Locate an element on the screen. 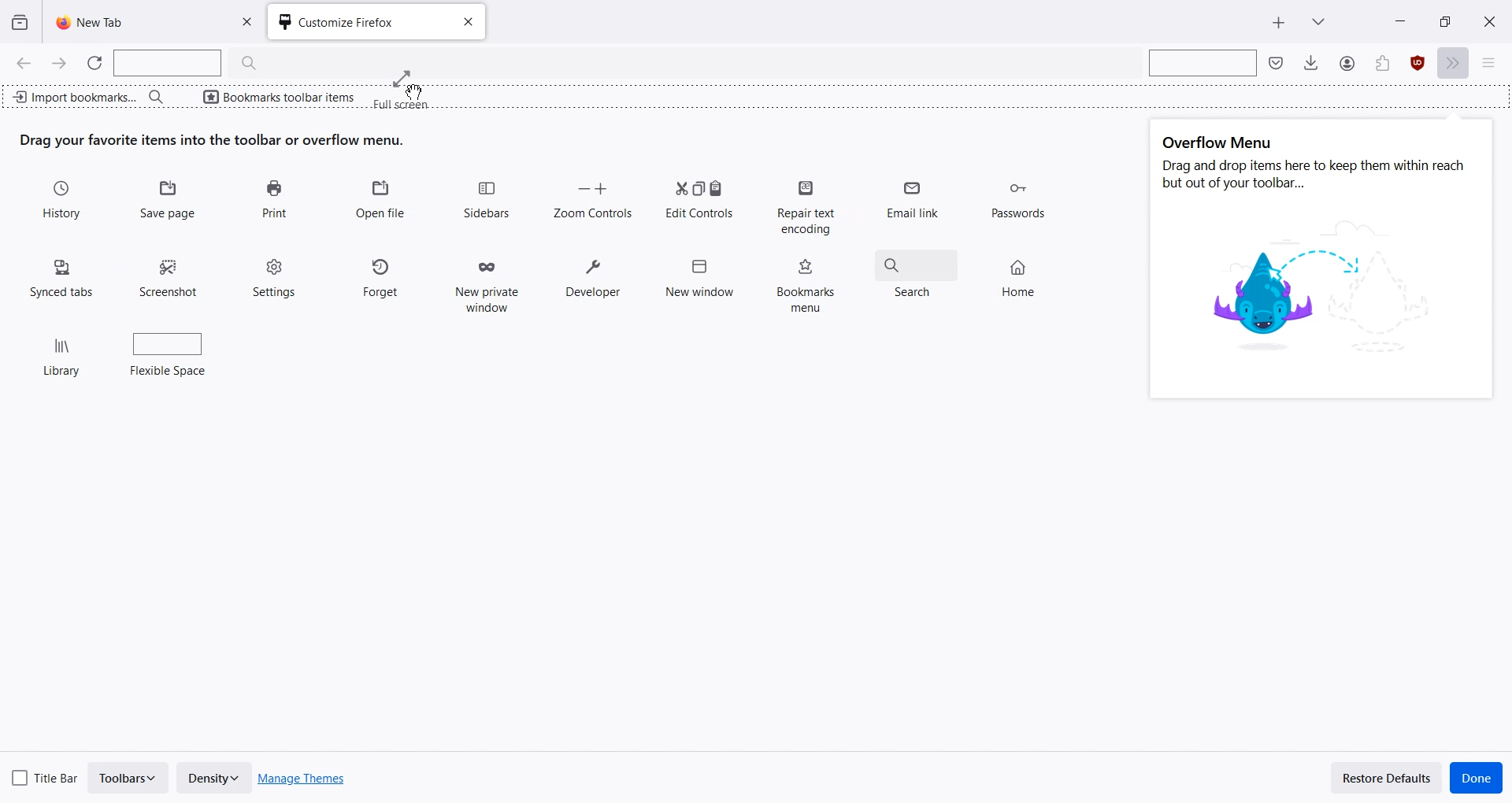 Image resolution: width=1512 pixels, height=803 pixels. Flexible space is located at coordinates (169, 350).